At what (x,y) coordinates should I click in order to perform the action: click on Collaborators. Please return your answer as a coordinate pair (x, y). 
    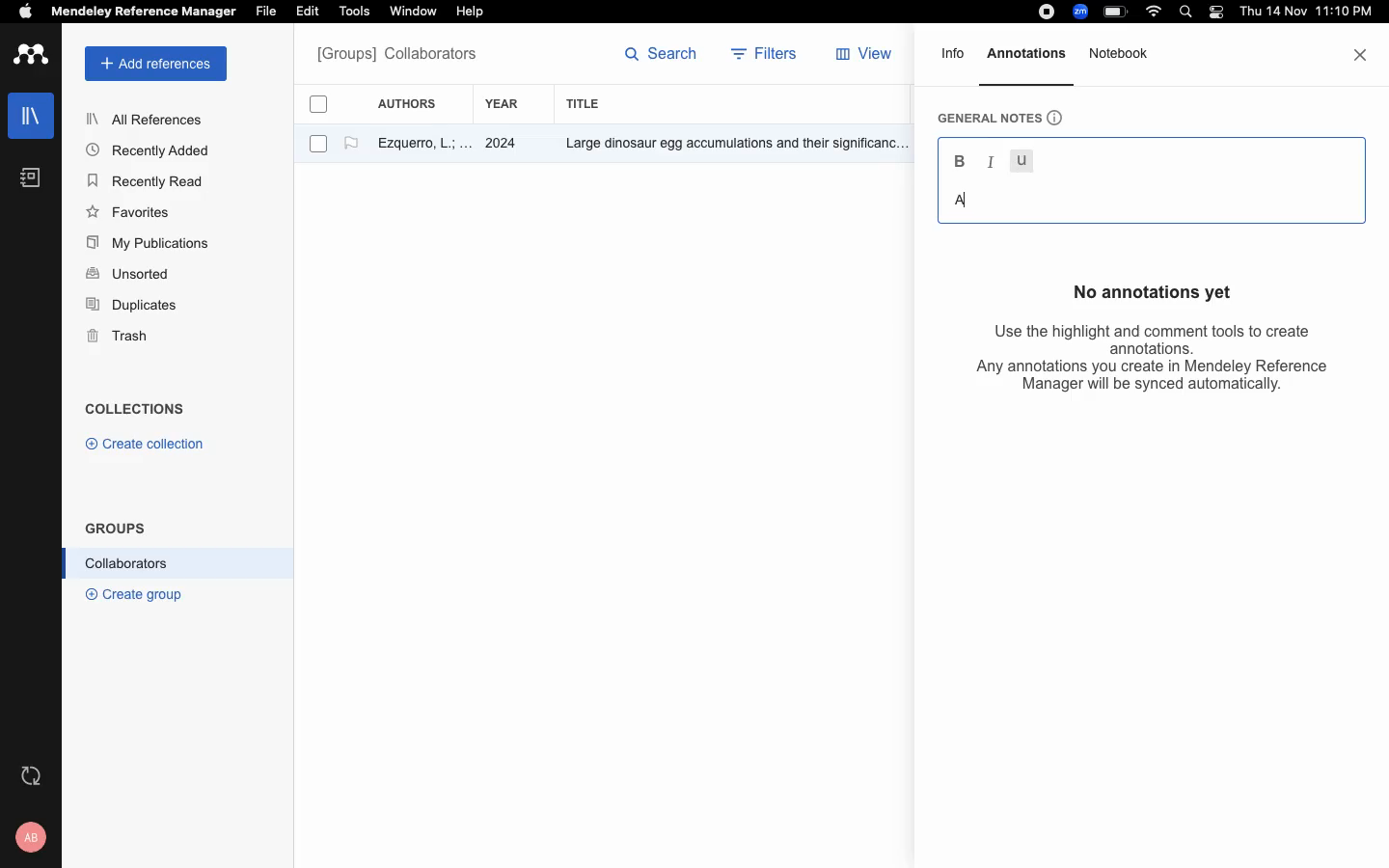
    Looking at the image, I should click on (127, 563).